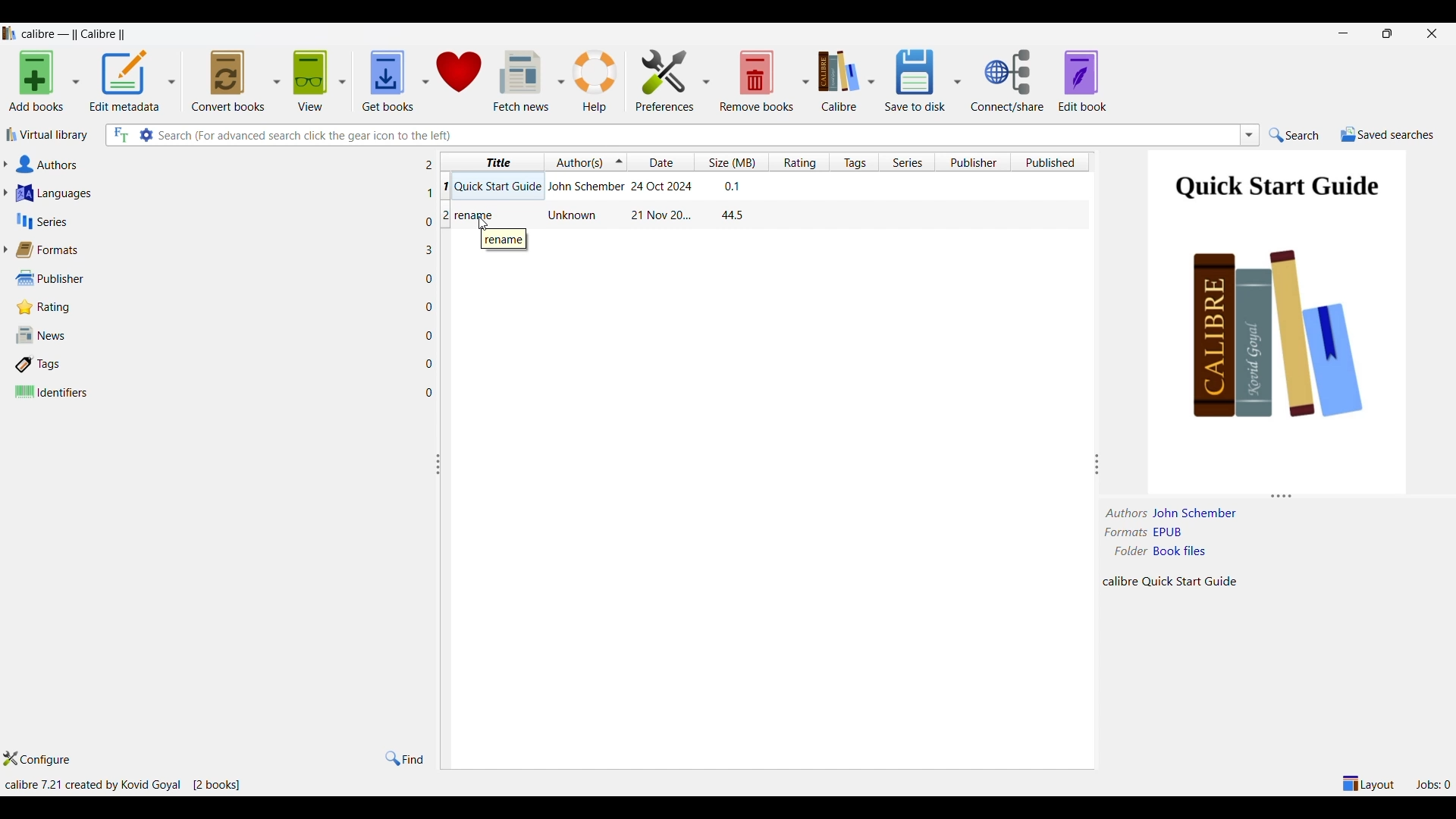 This screenshot has height=819, width=1456. Describe the element at coordinates (77, 82) in the screenshot. I see `Add book options` at that location.